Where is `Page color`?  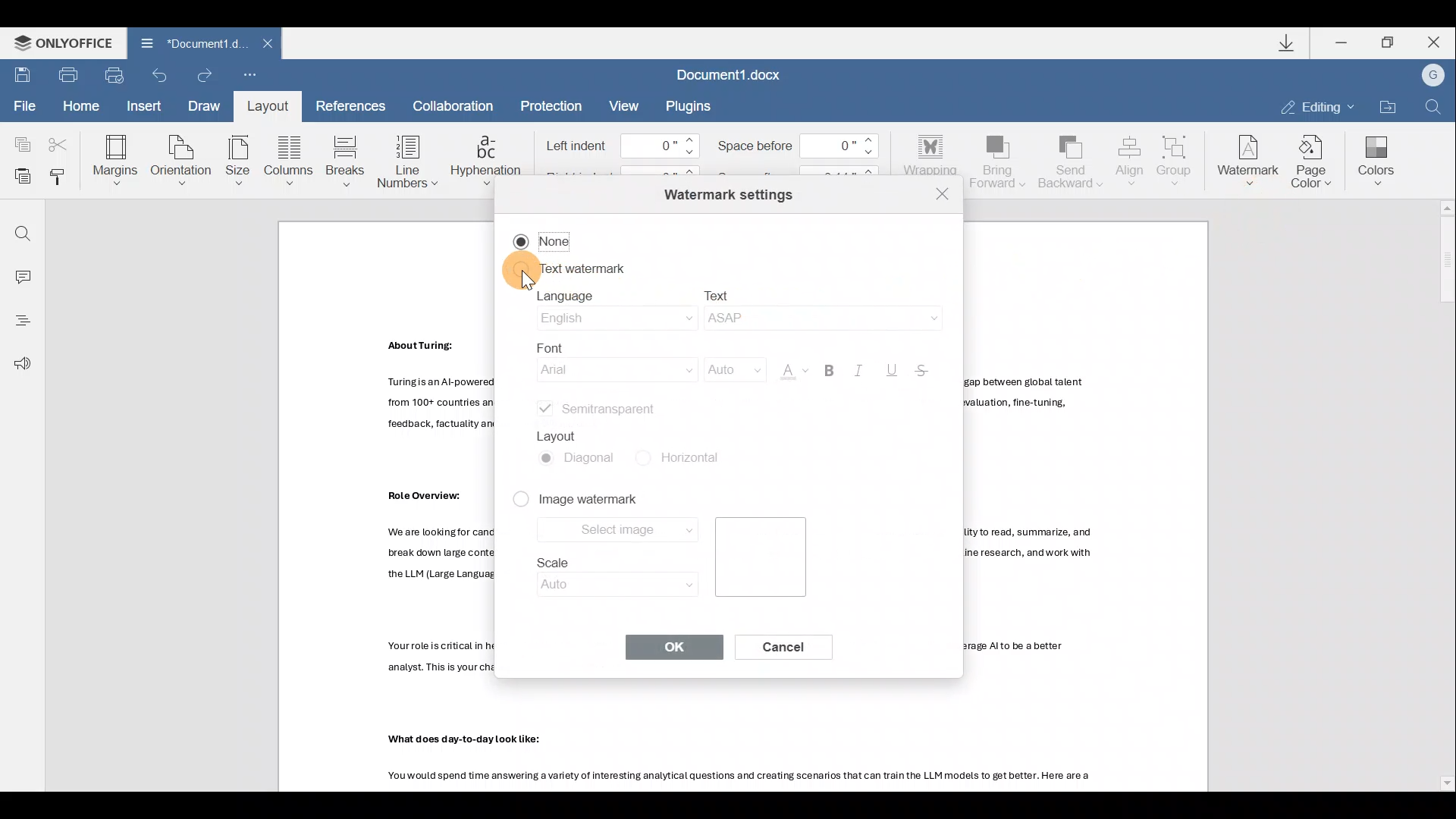
Page color is located at coordinates (1316, 158).